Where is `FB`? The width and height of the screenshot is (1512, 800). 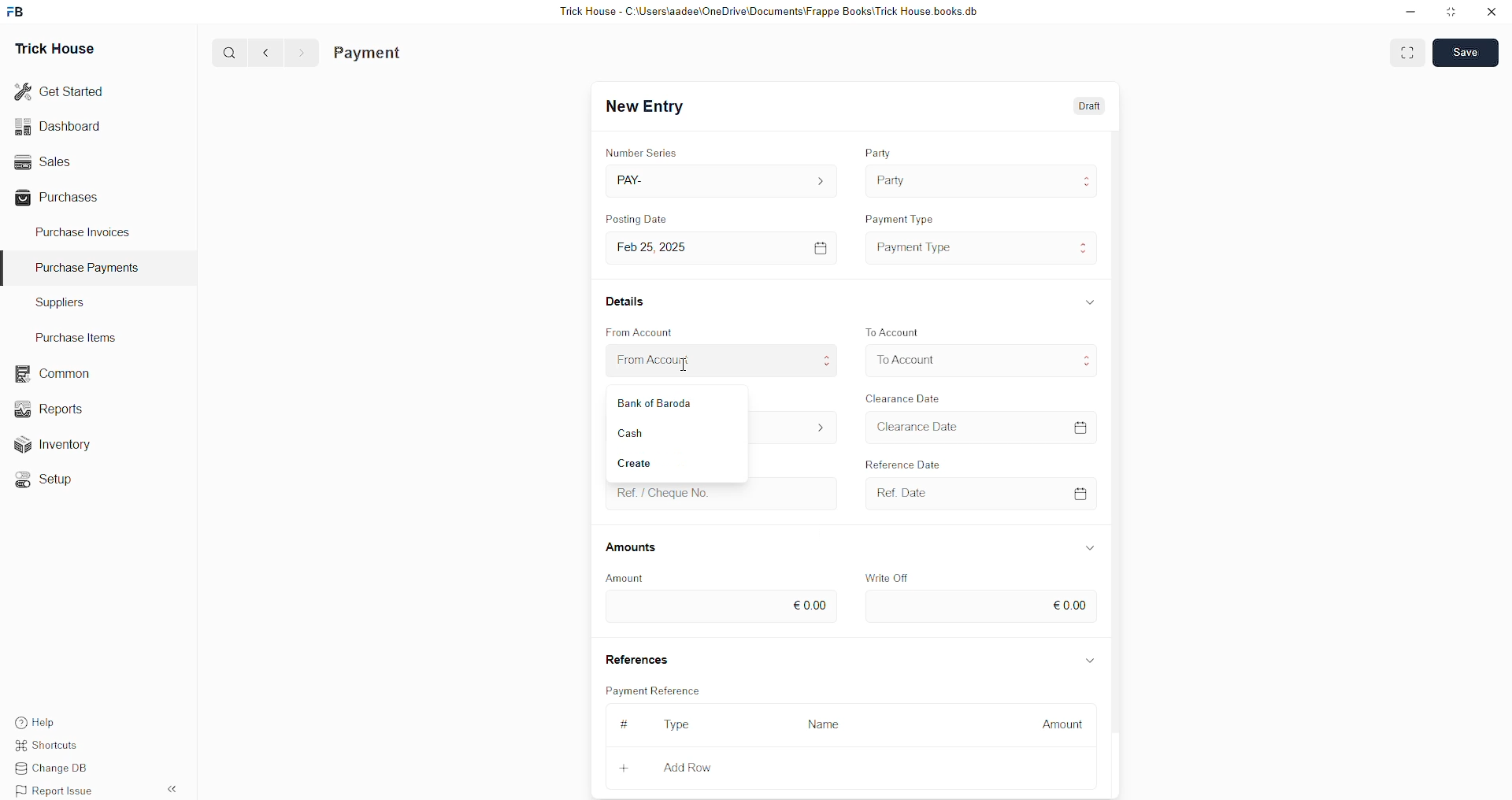 FB is located at coordinates (18, 10).